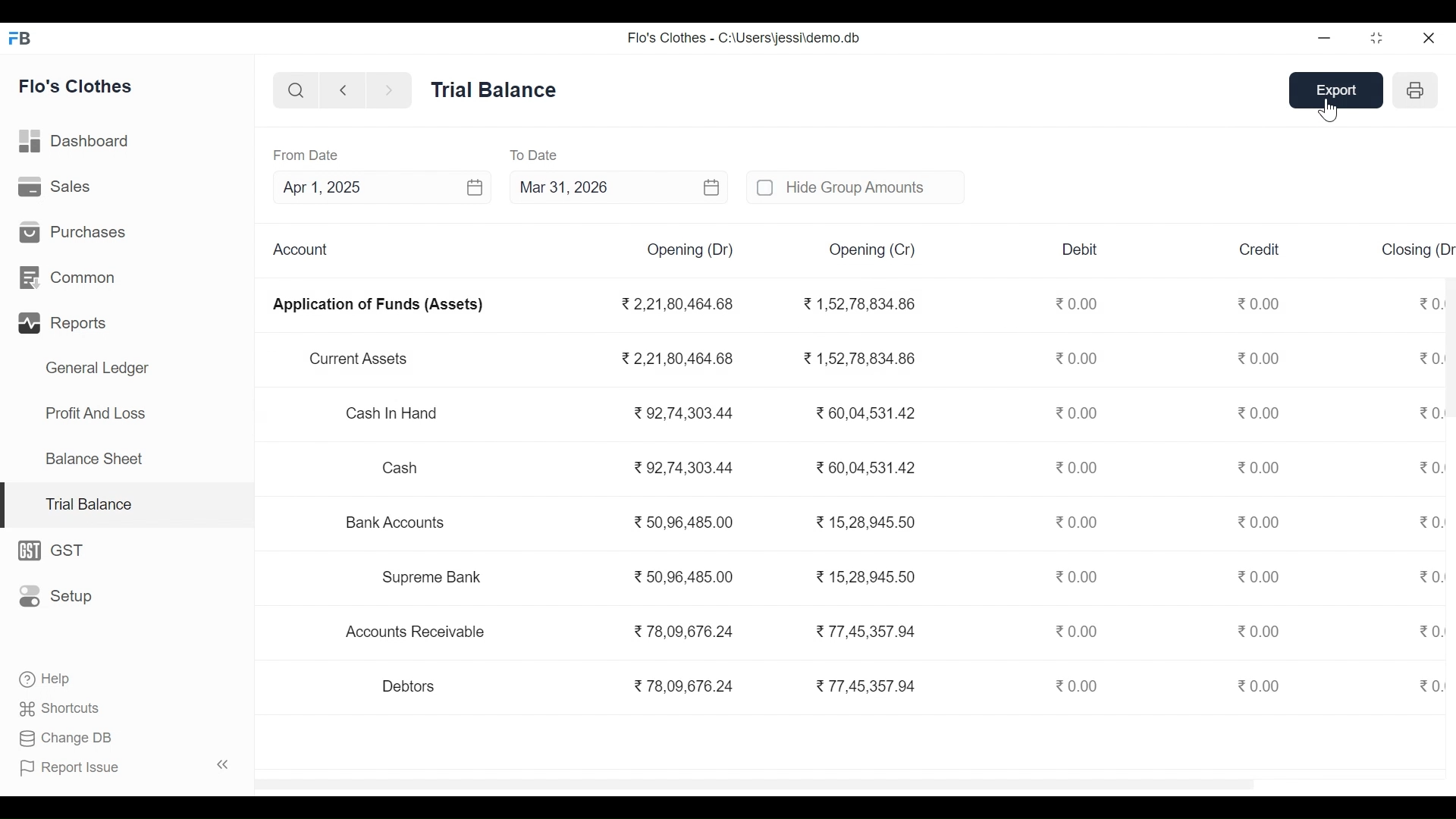 The height and width of the screenshot is (819, 1456). I want to click on 15.28.945 50, so click(867, 522).